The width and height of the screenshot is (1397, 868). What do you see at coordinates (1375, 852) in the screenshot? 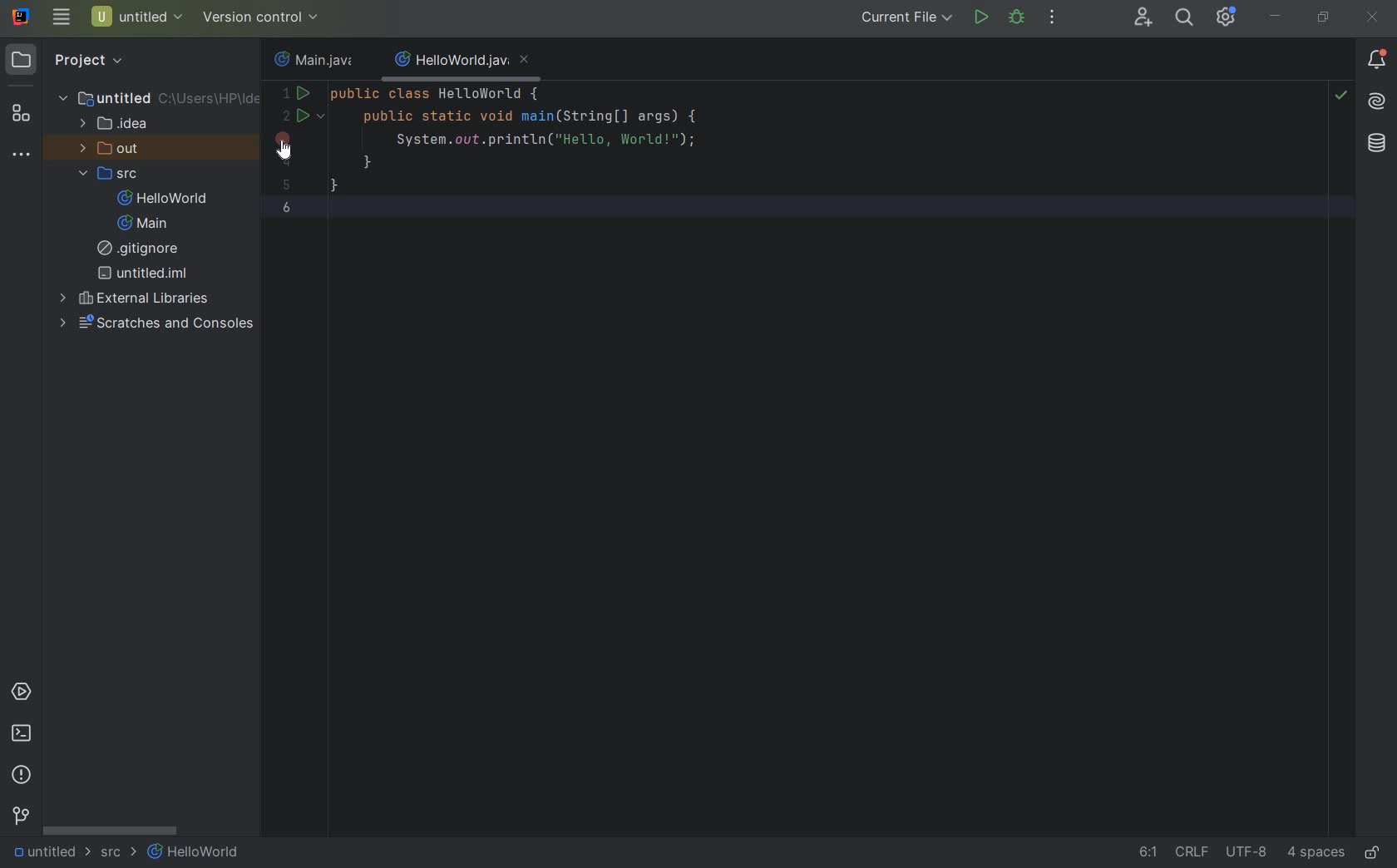
I see `make file read only` at bounding box center [1375, 852].